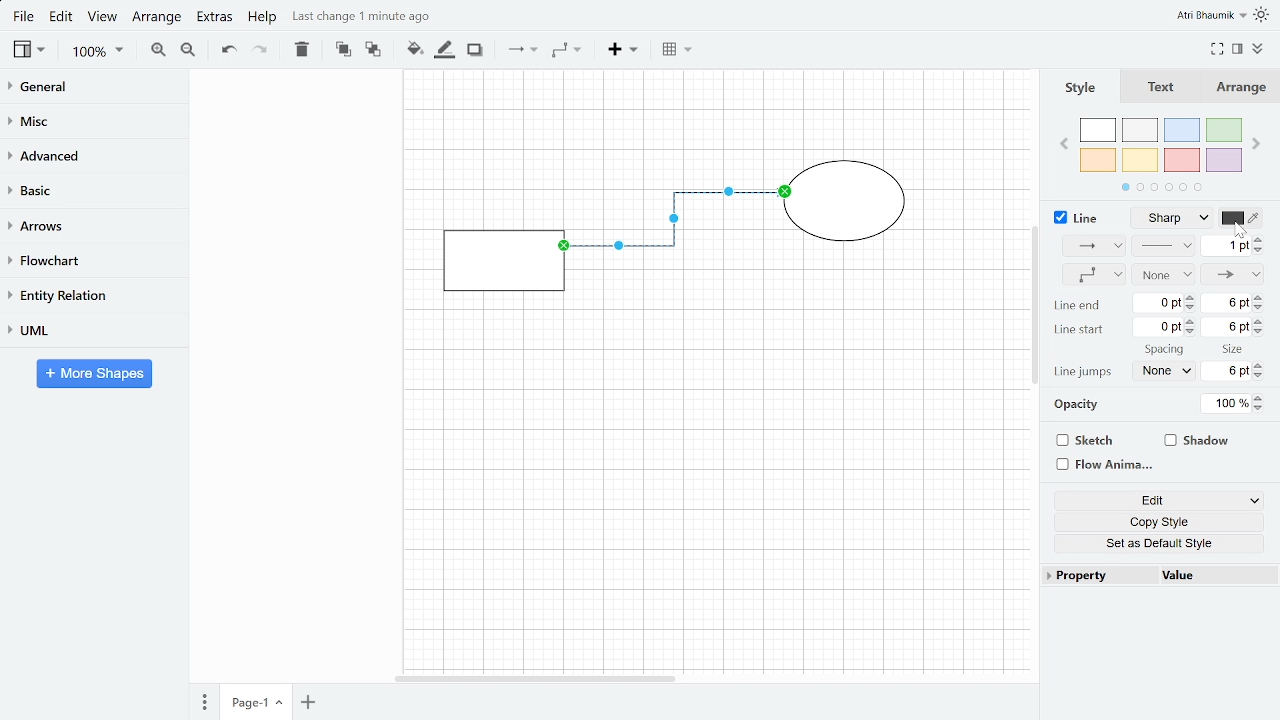 The height and width of the screenshot is (720, 1280). What do you see at coordinates (104, 19) in the screenshot?
I see `View` at bounding box center [104, 19].